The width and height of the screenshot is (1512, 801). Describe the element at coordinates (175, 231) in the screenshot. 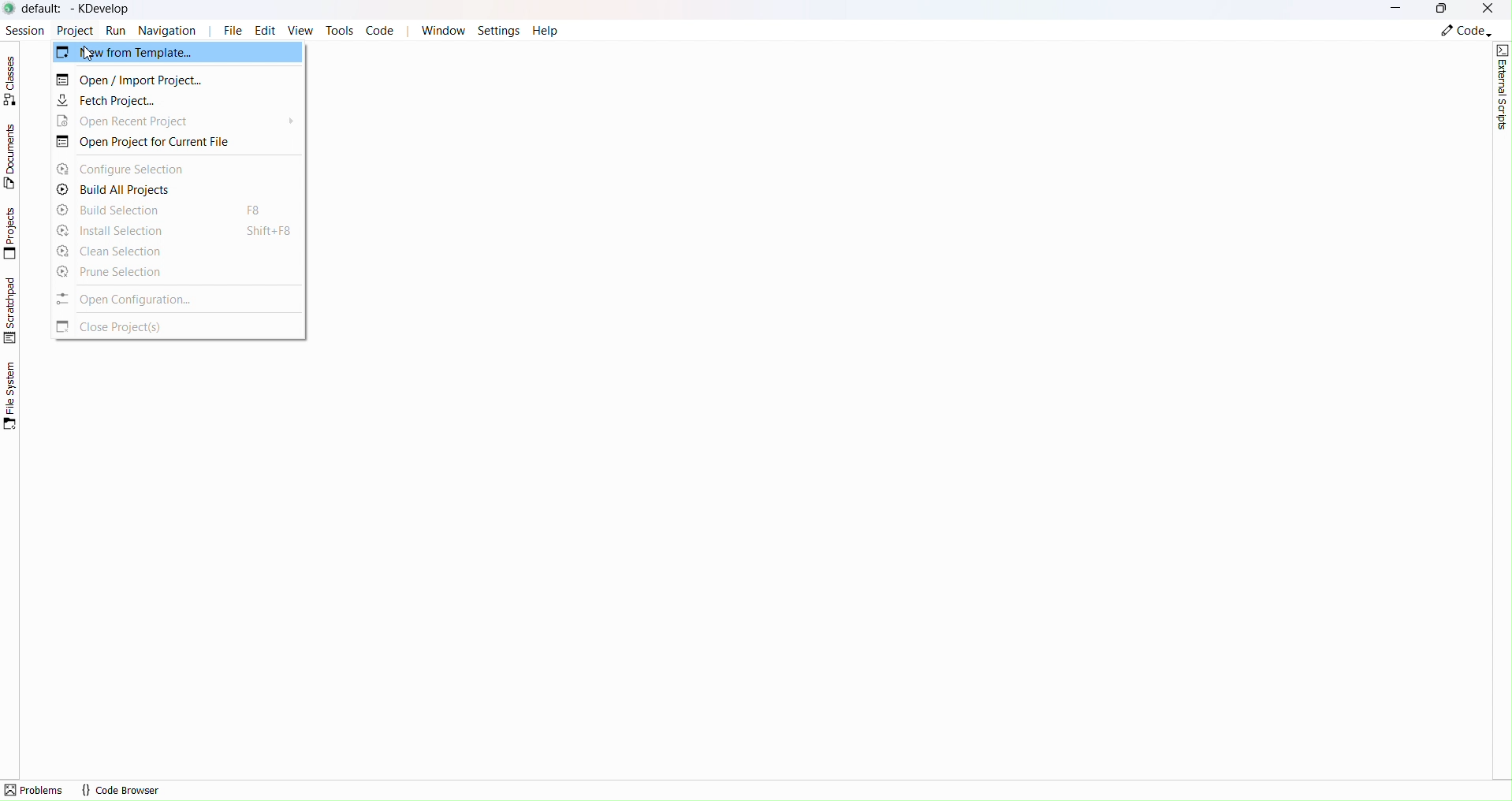

I see `Install Selection` at that location.